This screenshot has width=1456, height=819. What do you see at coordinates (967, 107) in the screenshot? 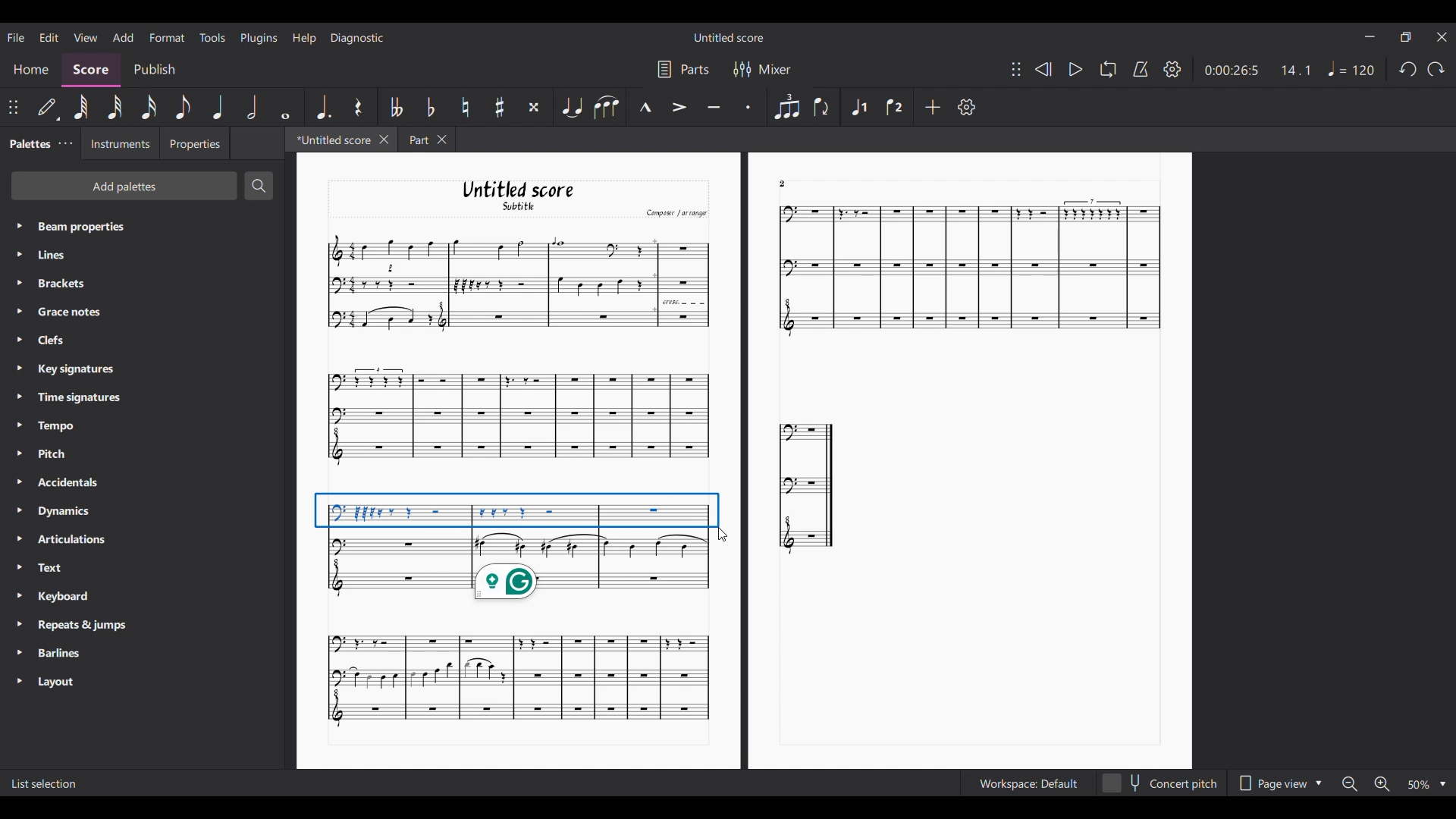
I see `Settings` at bounding box center [967, 107].